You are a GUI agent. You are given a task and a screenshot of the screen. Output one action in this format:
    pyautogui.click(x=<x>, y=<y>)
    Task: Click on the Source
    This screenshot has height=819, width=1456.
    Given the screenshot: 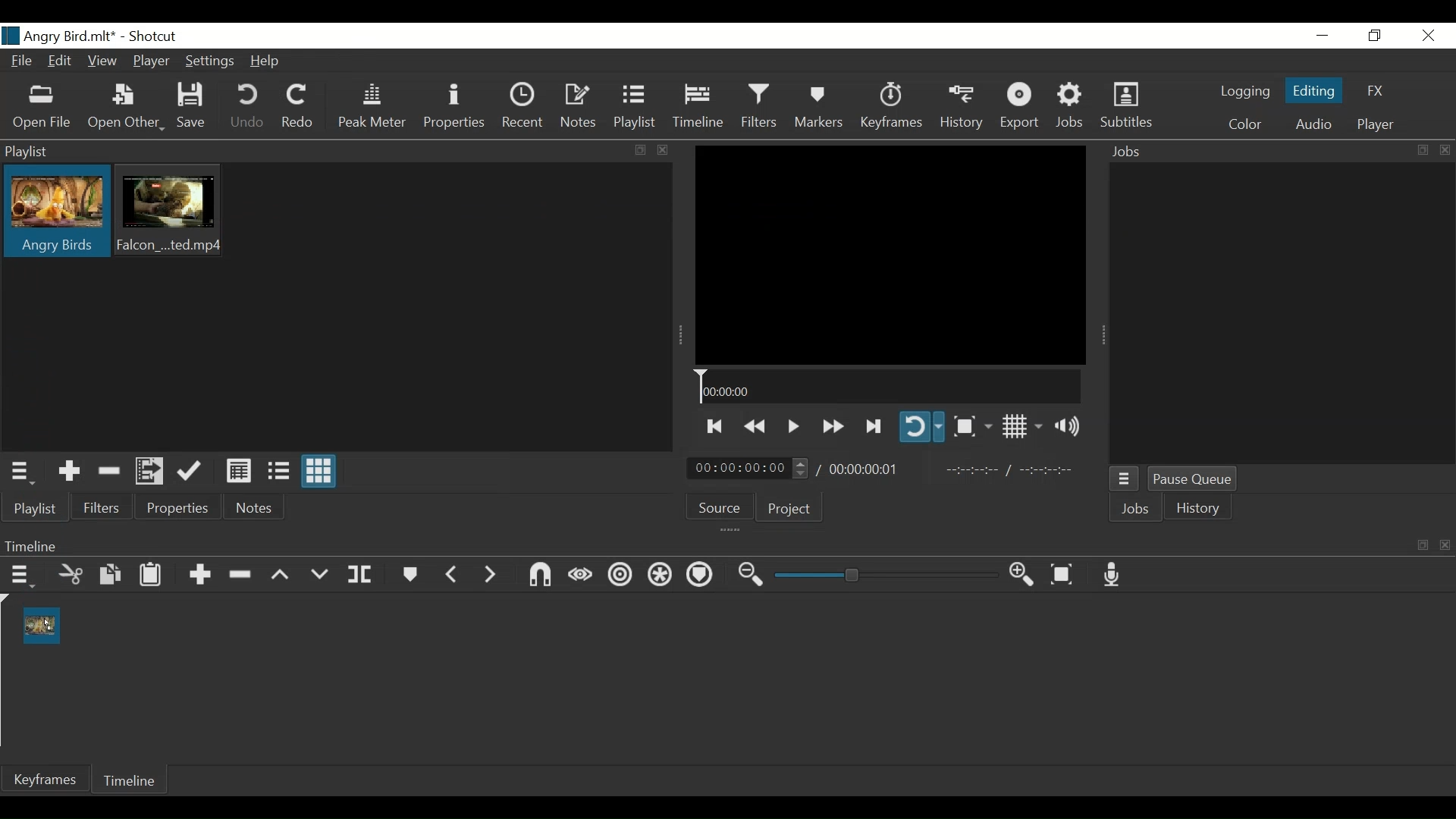 What is the action you would take?
    pyautogui.click(x=722, y=510)
    